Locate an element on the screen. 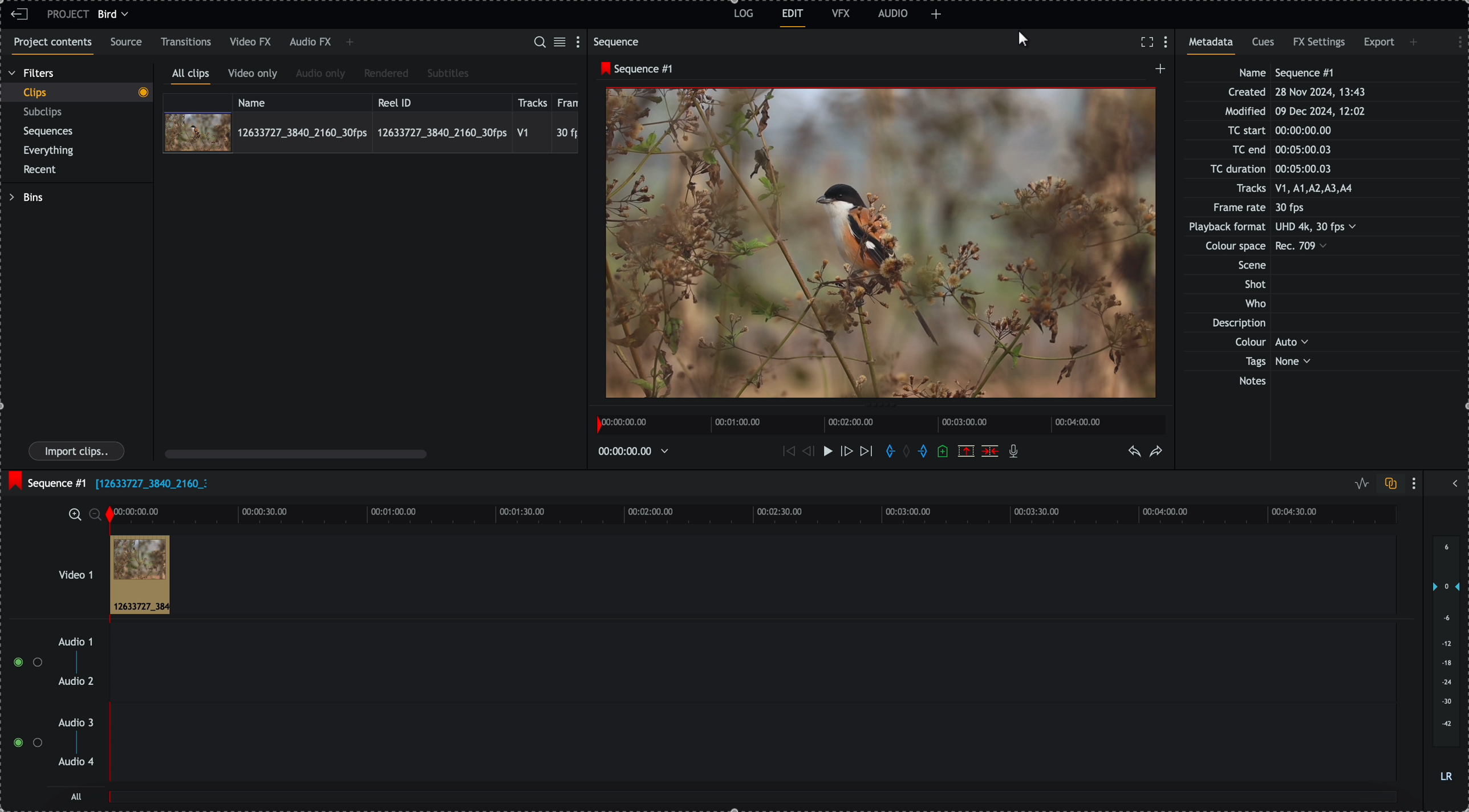 Image resolution: width=1469 pixels, height=812 pixels. AUDIO is located at coordinates (893, 13).